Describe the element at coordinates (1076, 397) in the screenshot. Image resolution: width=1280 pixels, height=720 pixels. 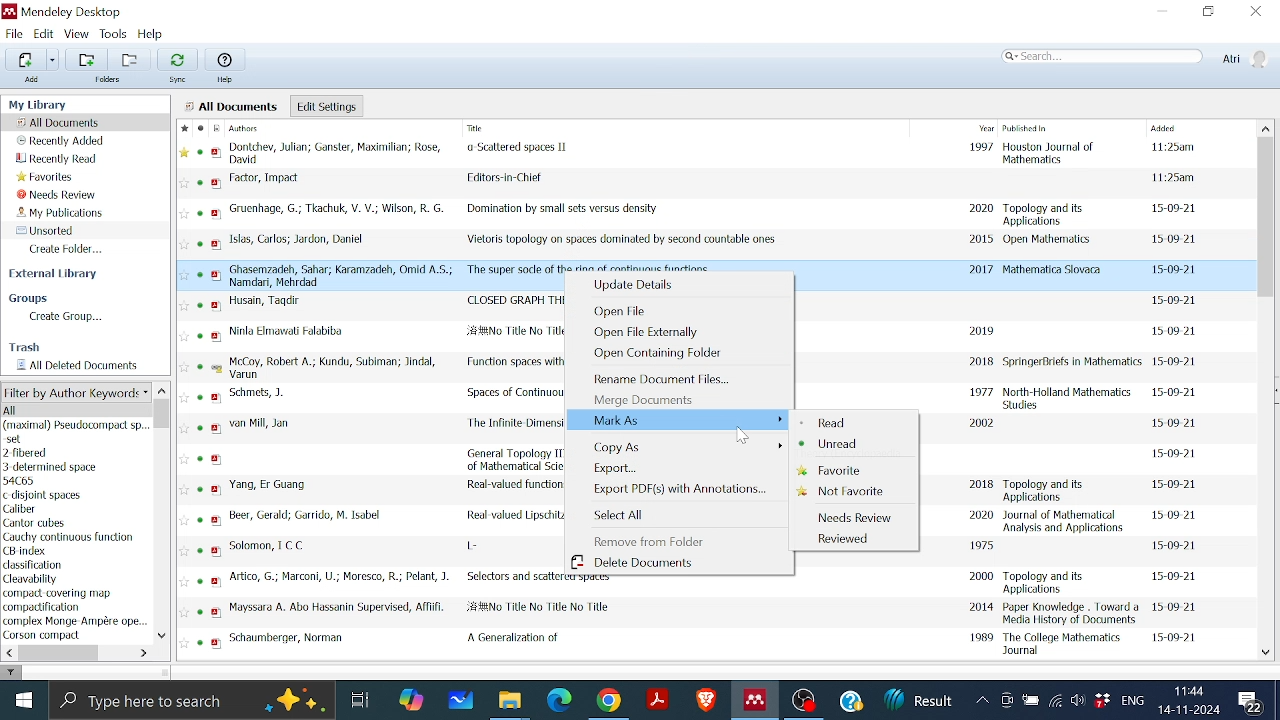
I see `document` at that location.